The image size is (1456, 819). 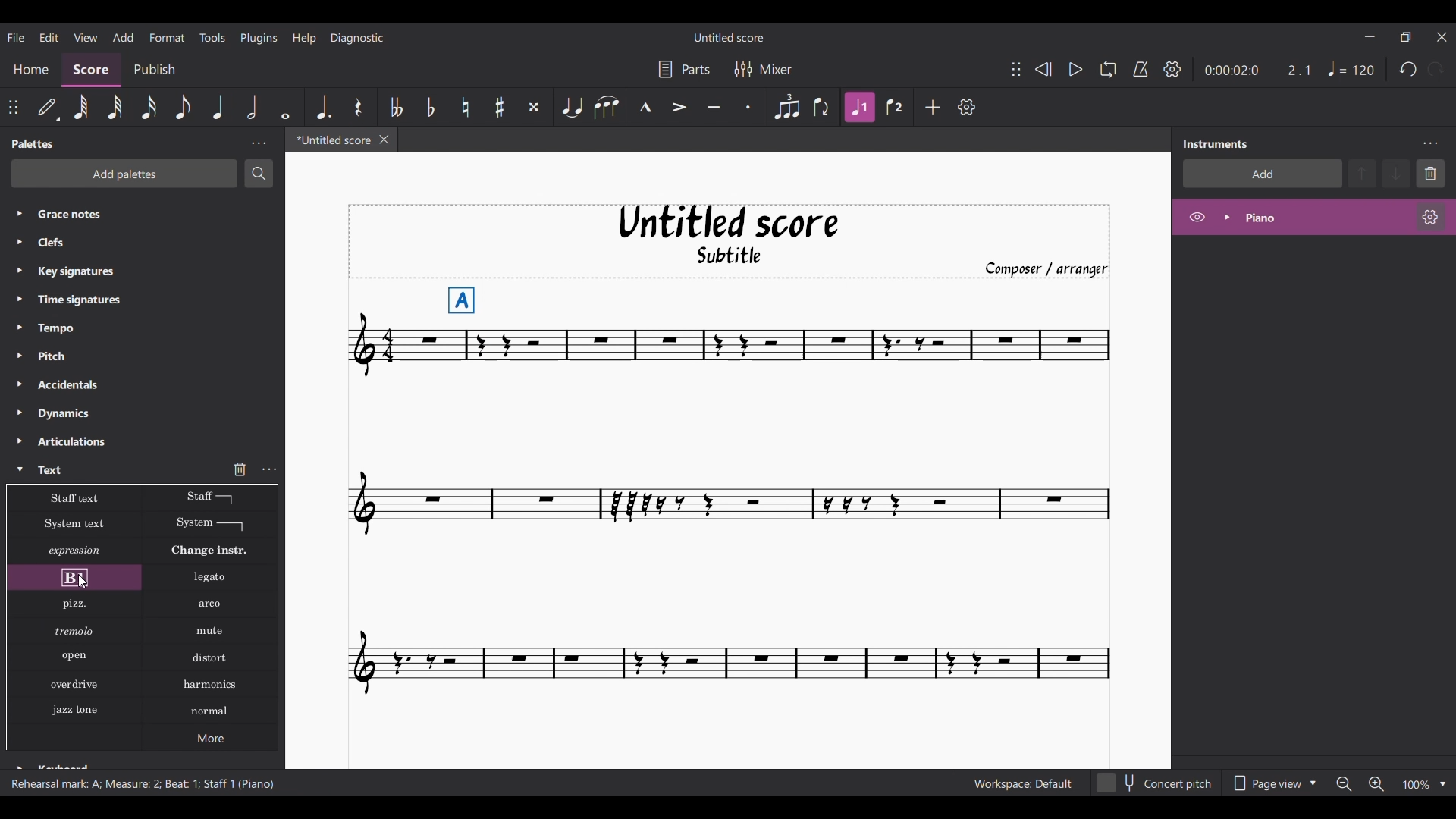 I want to click on Default, so click(x=48, y=106).